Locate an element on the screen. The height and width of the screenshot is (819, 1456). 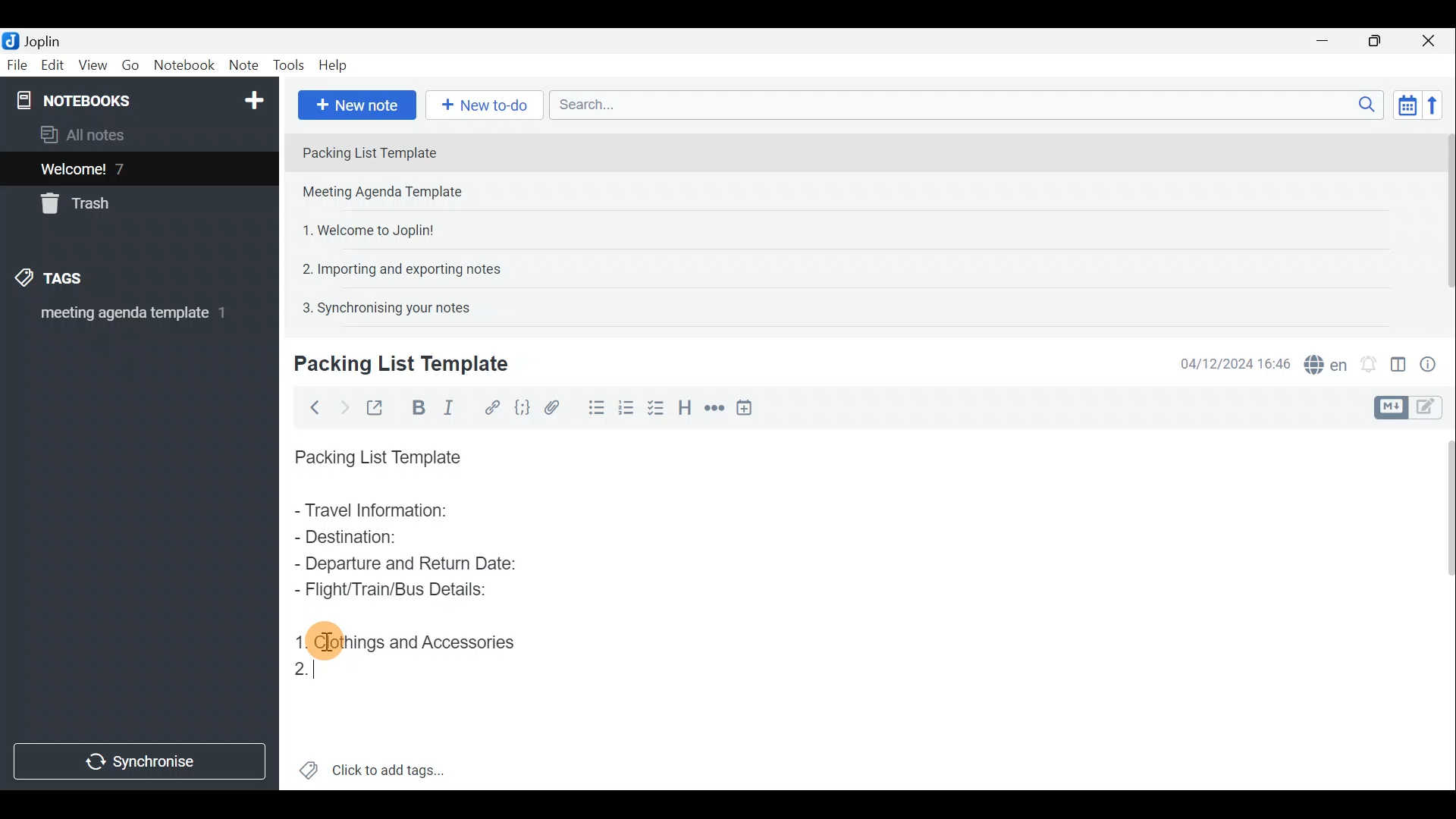
Attach file is located at coordinates (552, 406).